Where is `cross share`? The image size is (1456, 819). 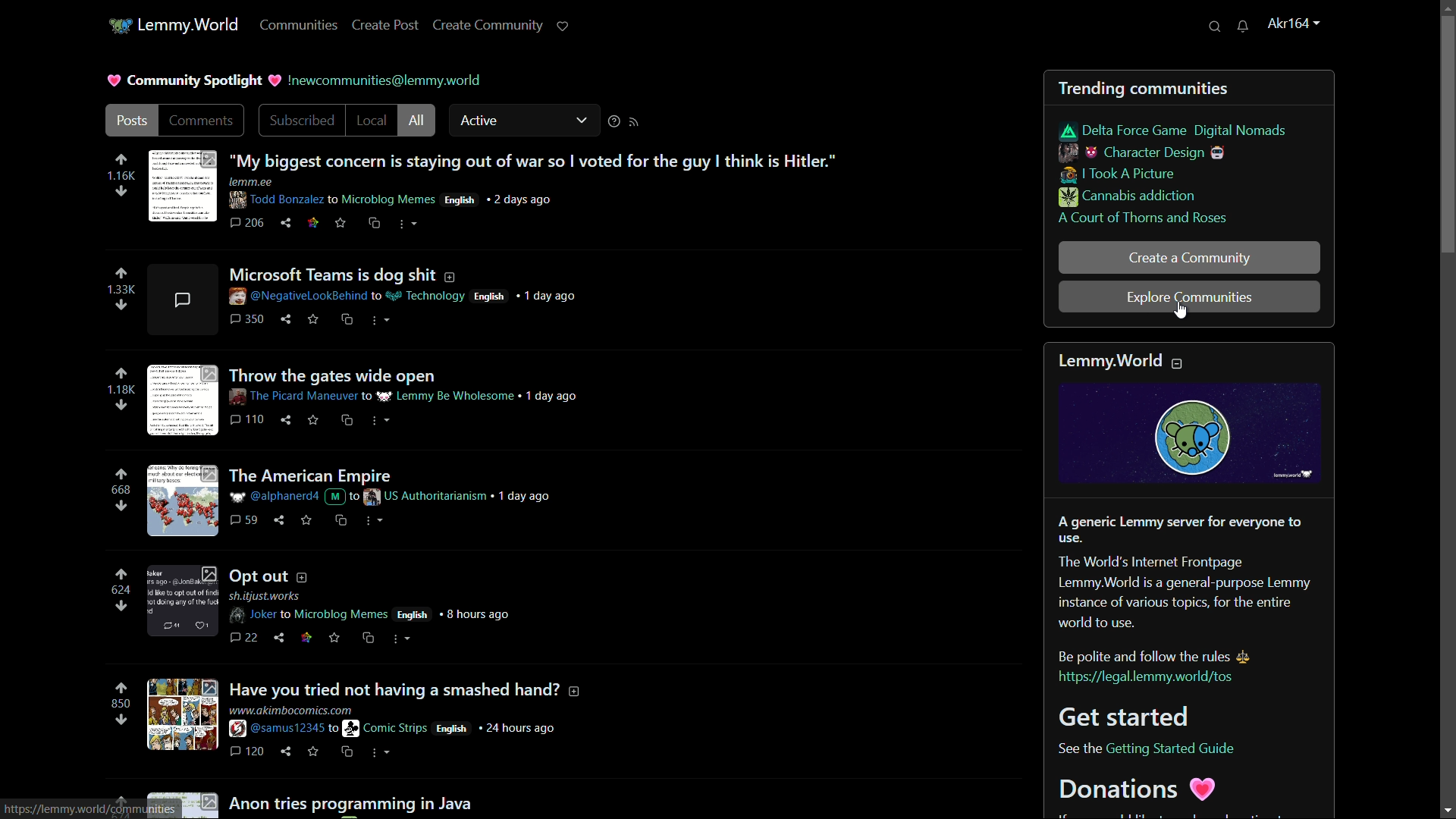 cross share is located at coordinates (350, 319).